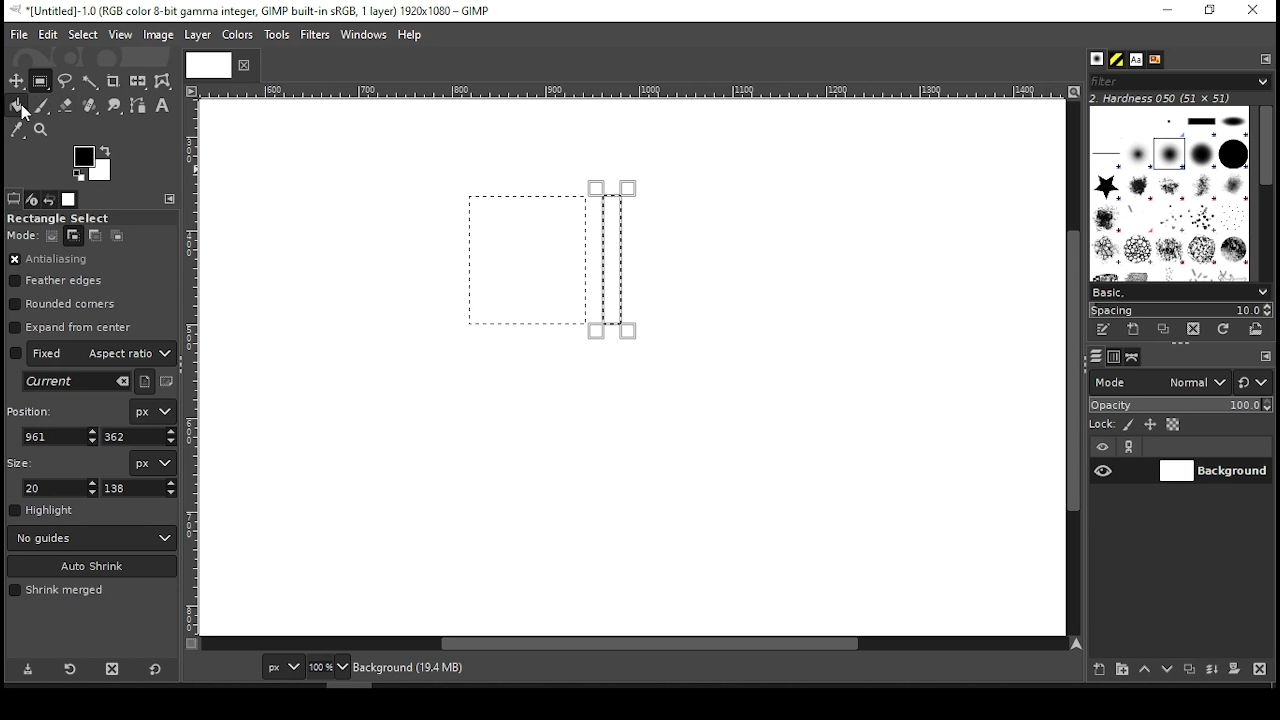 The width and height of the screenshot is (1280, 720). I want to click on document history, so click(1154, 60).